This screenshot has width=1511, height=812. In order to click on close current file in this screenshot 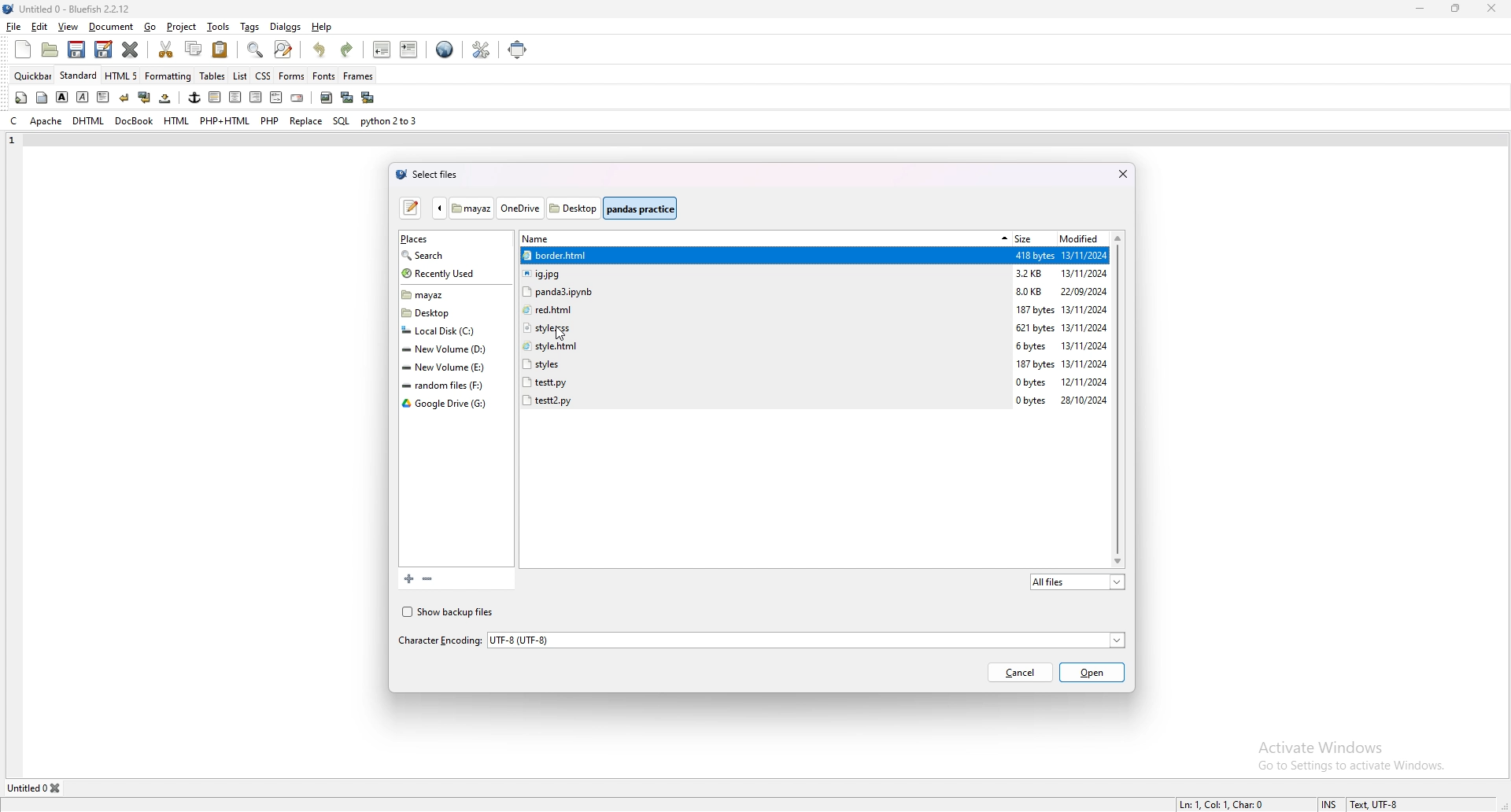, I will do `click(131, 49)`.